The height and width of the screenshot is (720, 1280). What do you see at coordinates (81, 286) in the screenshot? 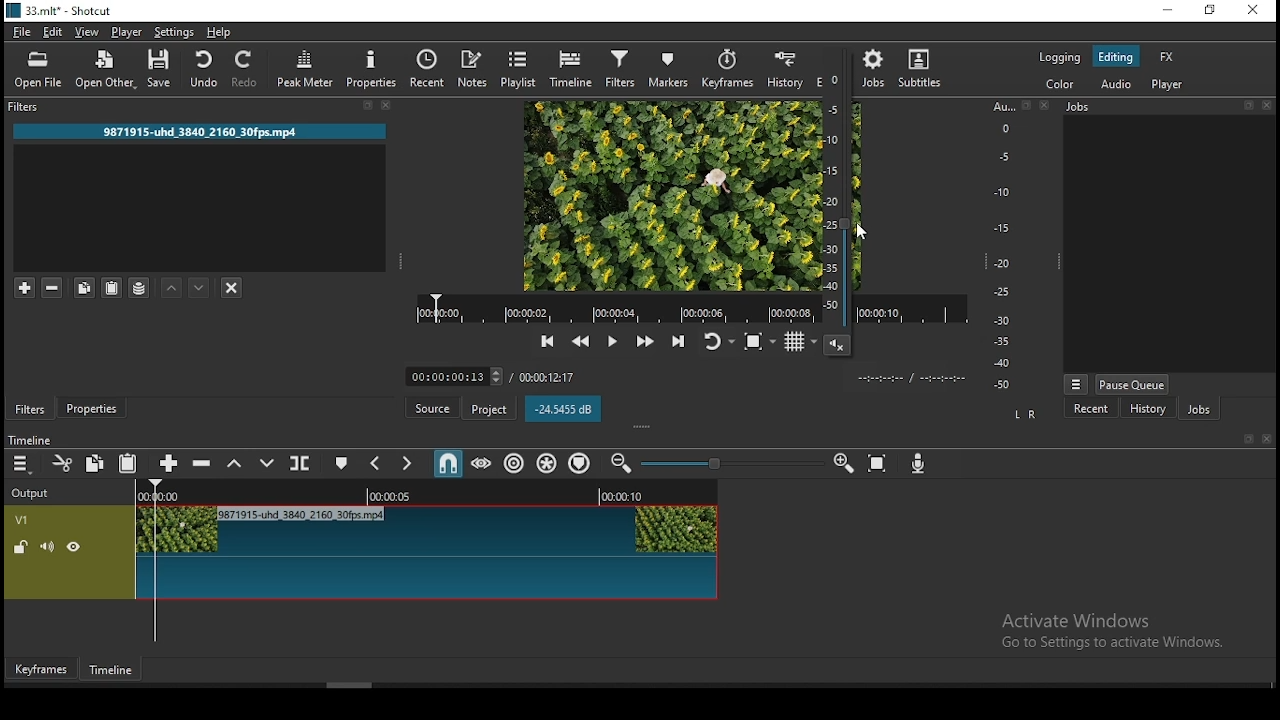
I see `copy selected filter` at bounding box center [81, 286].